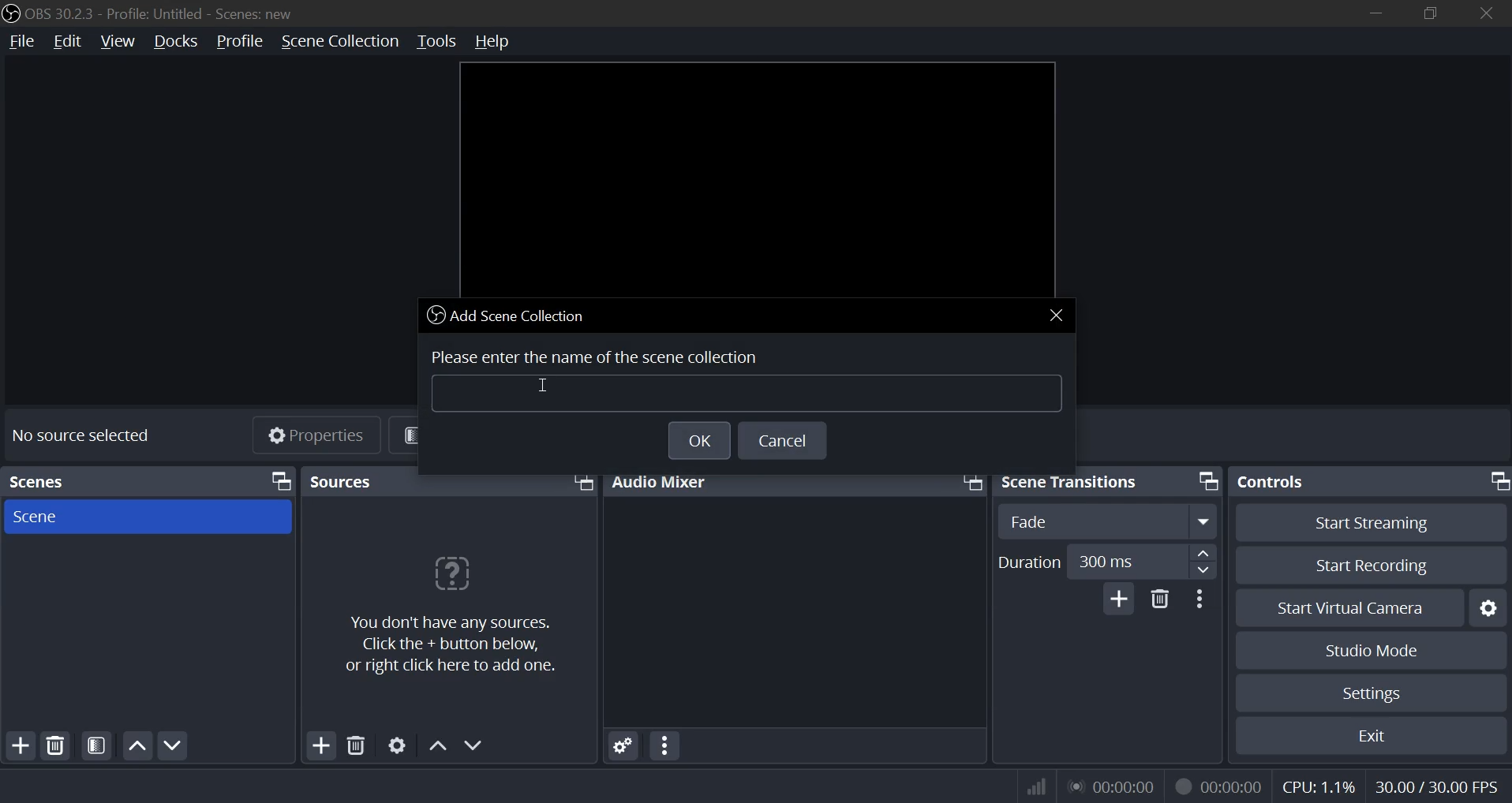 The height and width of the screenshot is (803, 1512). Describe the element at coordinates (1030, 521) in the screenshot. I see `fade` at that location.